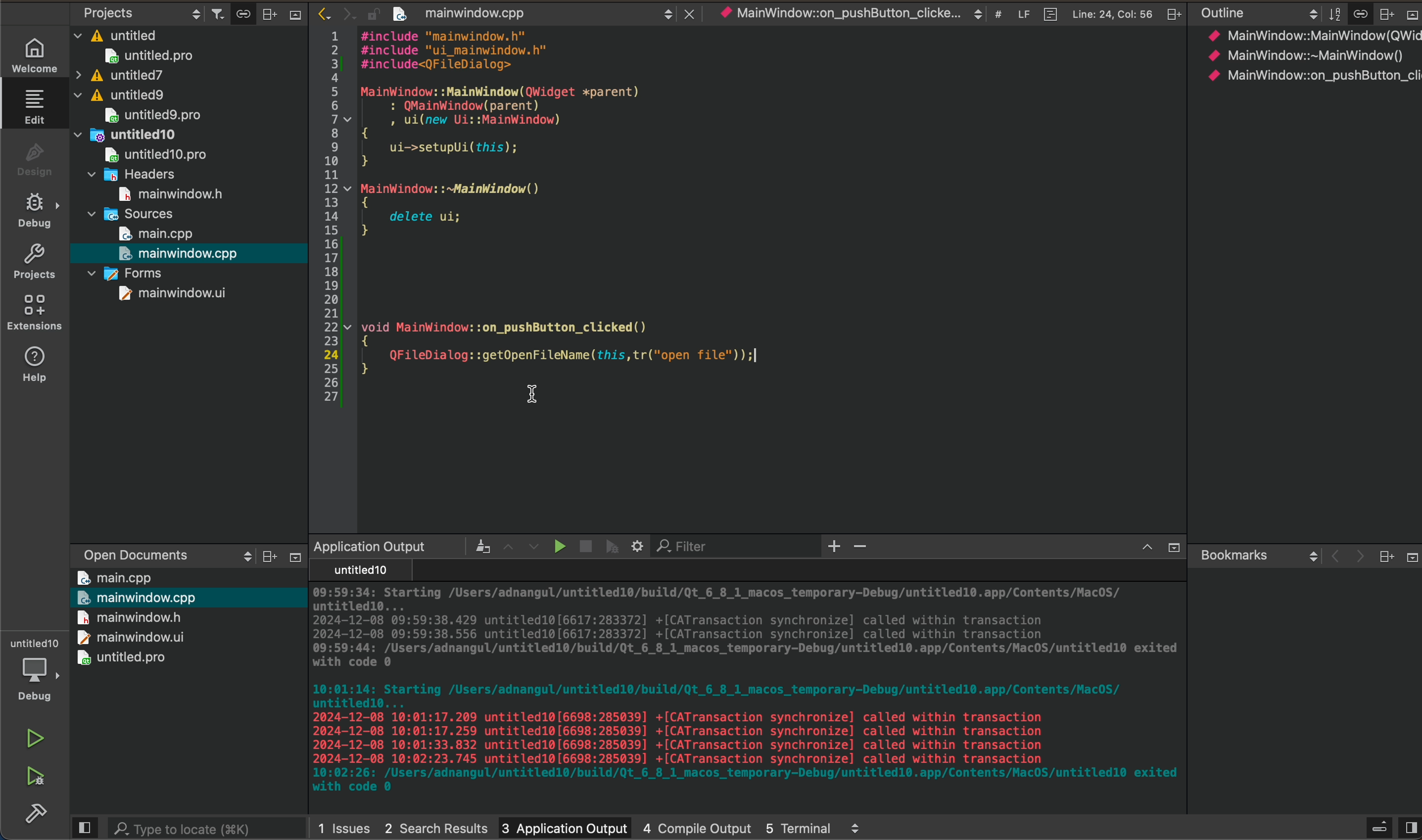 The height and width of the screenshot is (840, 1422). Describe the element at coordinates (33, 740) in the screenshot. I see `run` at that location.